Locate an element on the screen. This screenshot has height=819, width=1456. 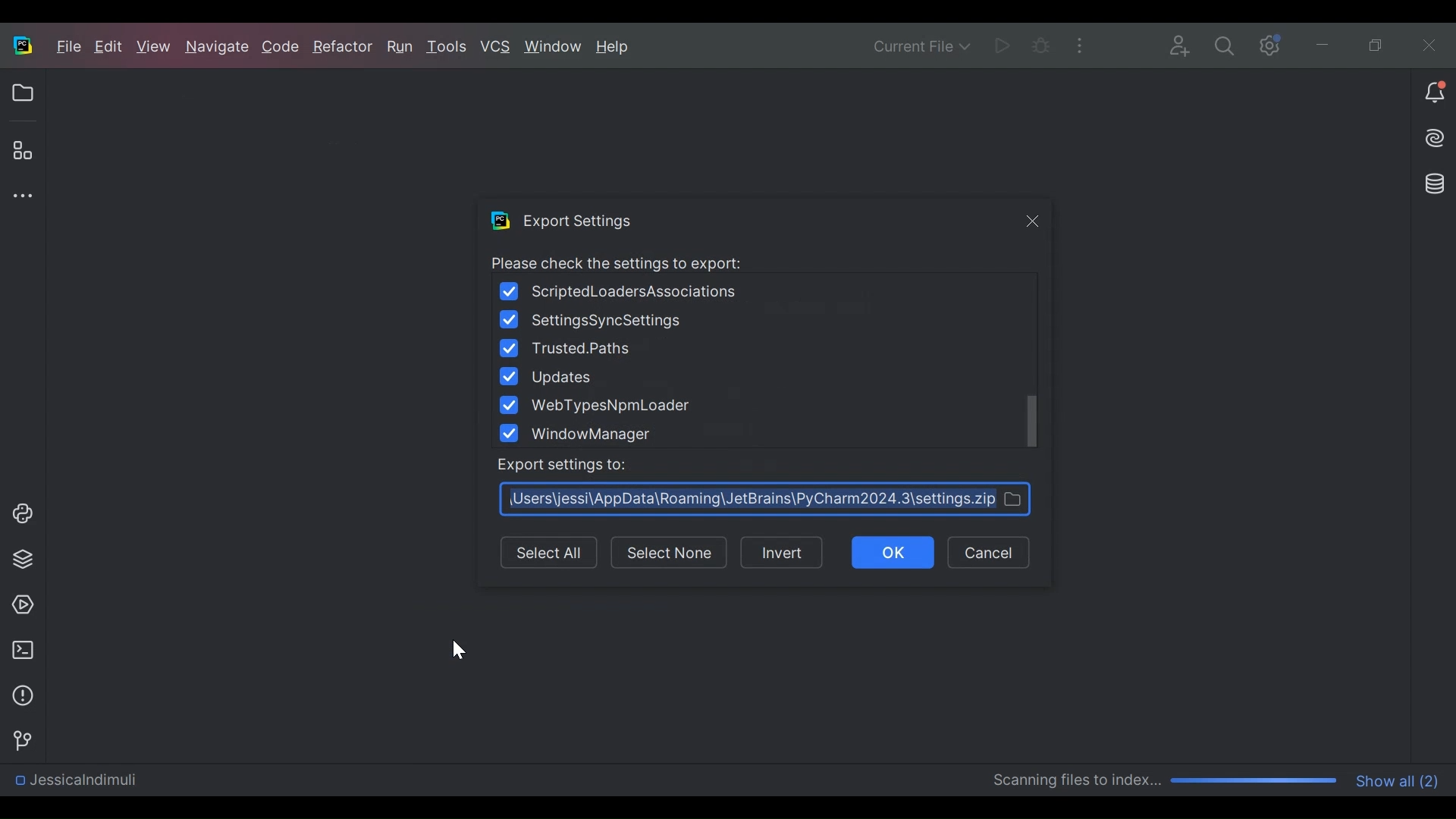
Services is located at coordinates (18, 605).